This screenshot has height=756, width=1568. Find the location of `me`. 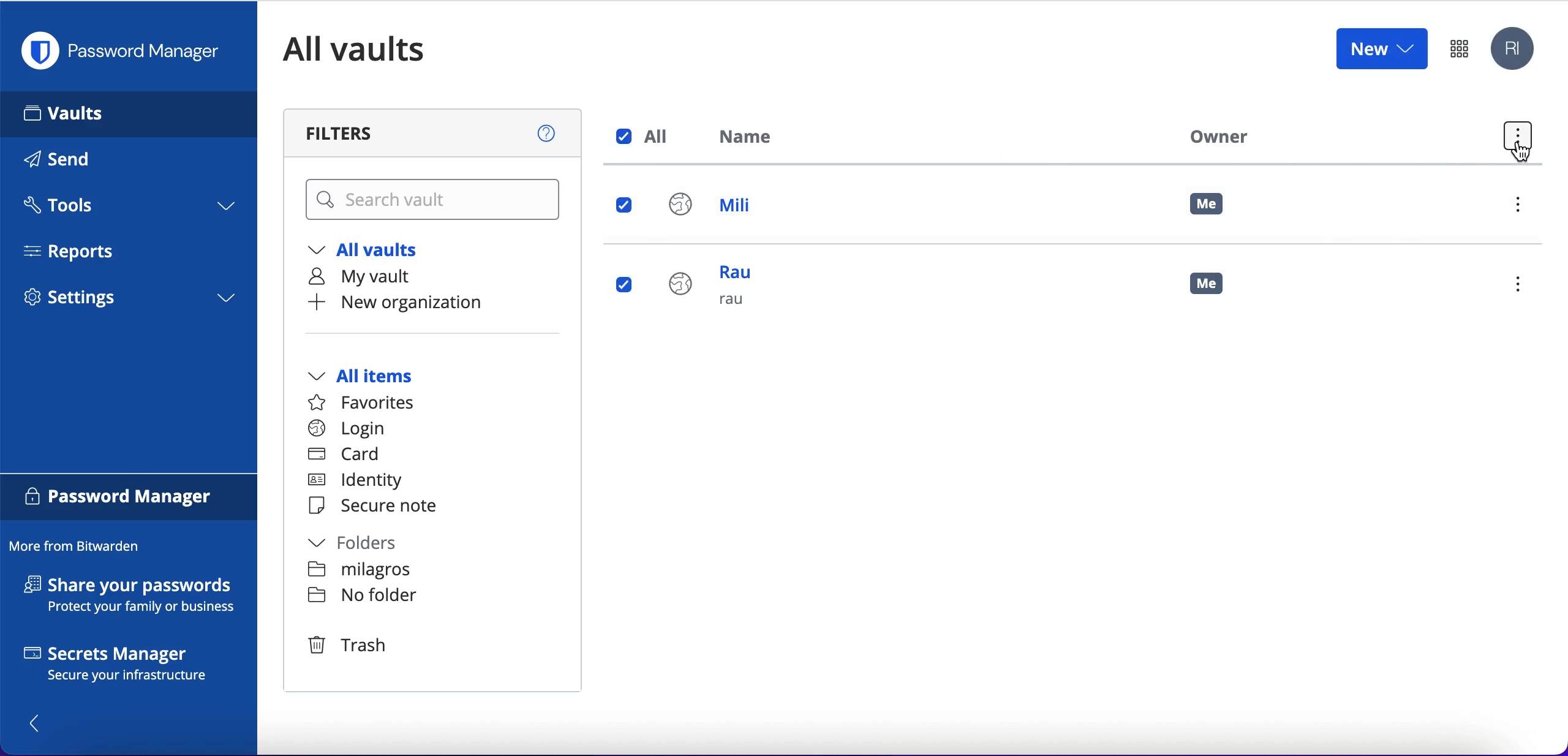

me is located at coordinates (1208, 205).